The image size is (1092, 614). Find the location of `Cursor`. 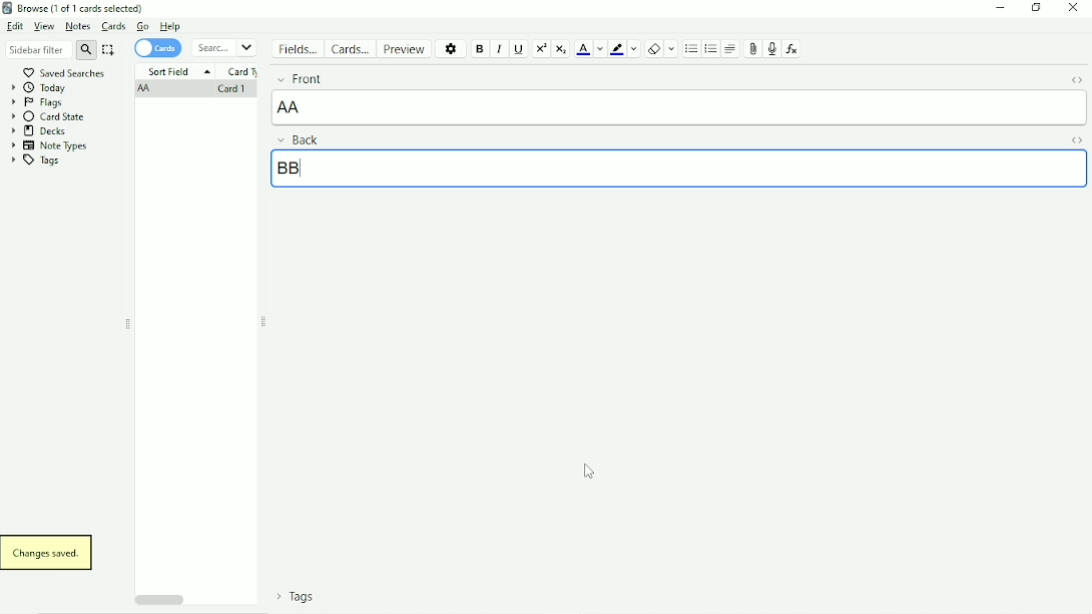

Cursor is located at coordinates (591, 471).